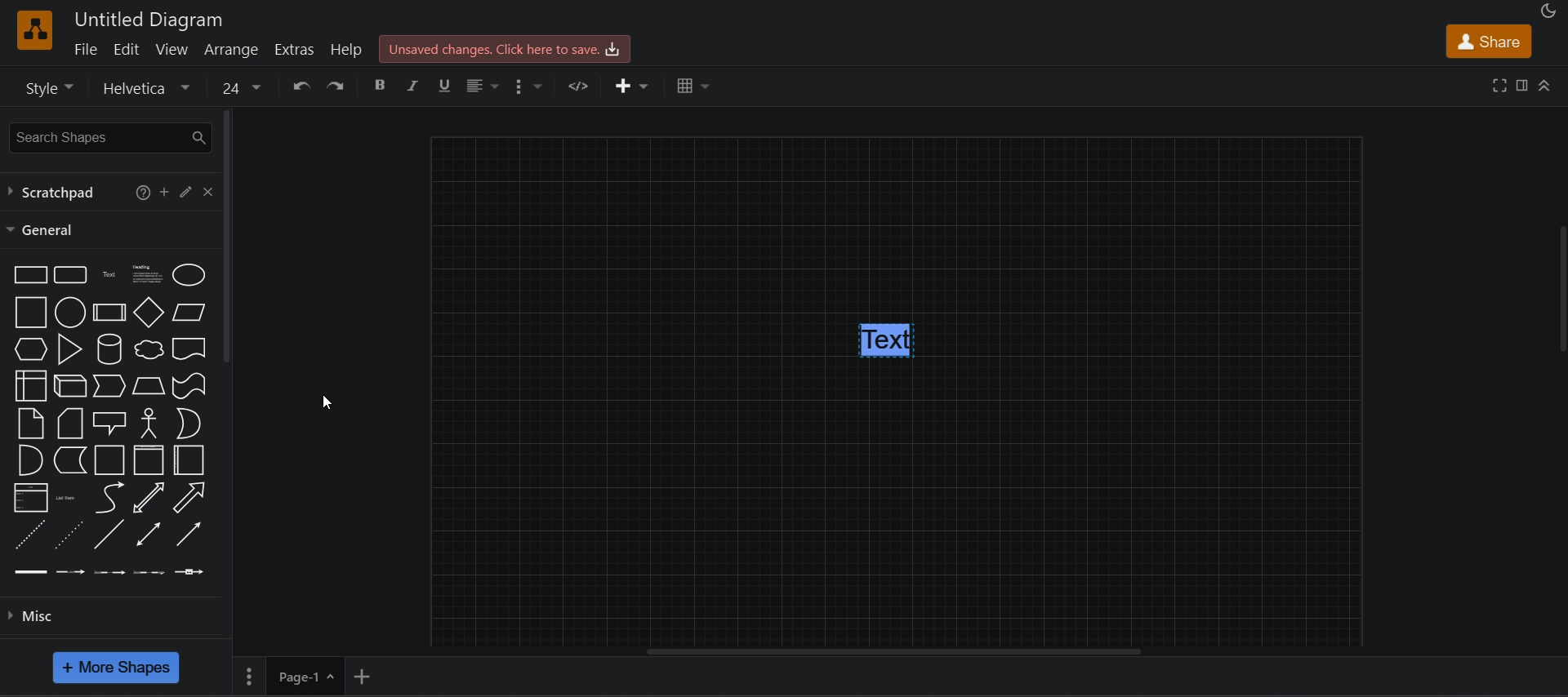 The width and height of the screenshot is (1568, 697). Describe the element at coordinates (581, 85) in the screenshot. I see `html` at that location.